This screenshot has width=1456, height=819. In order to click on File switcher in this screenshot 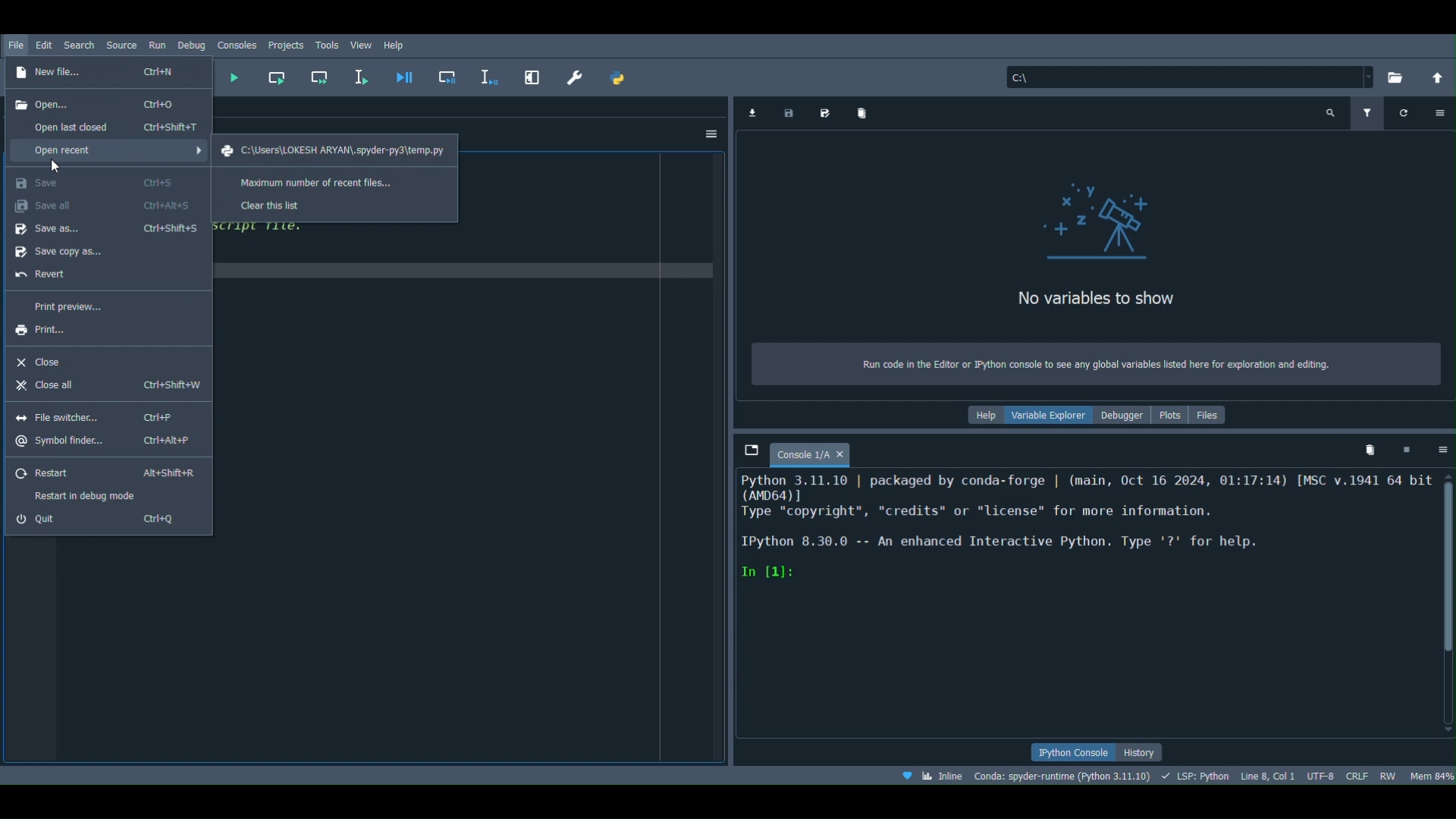, I will do `click(90, 416)`.